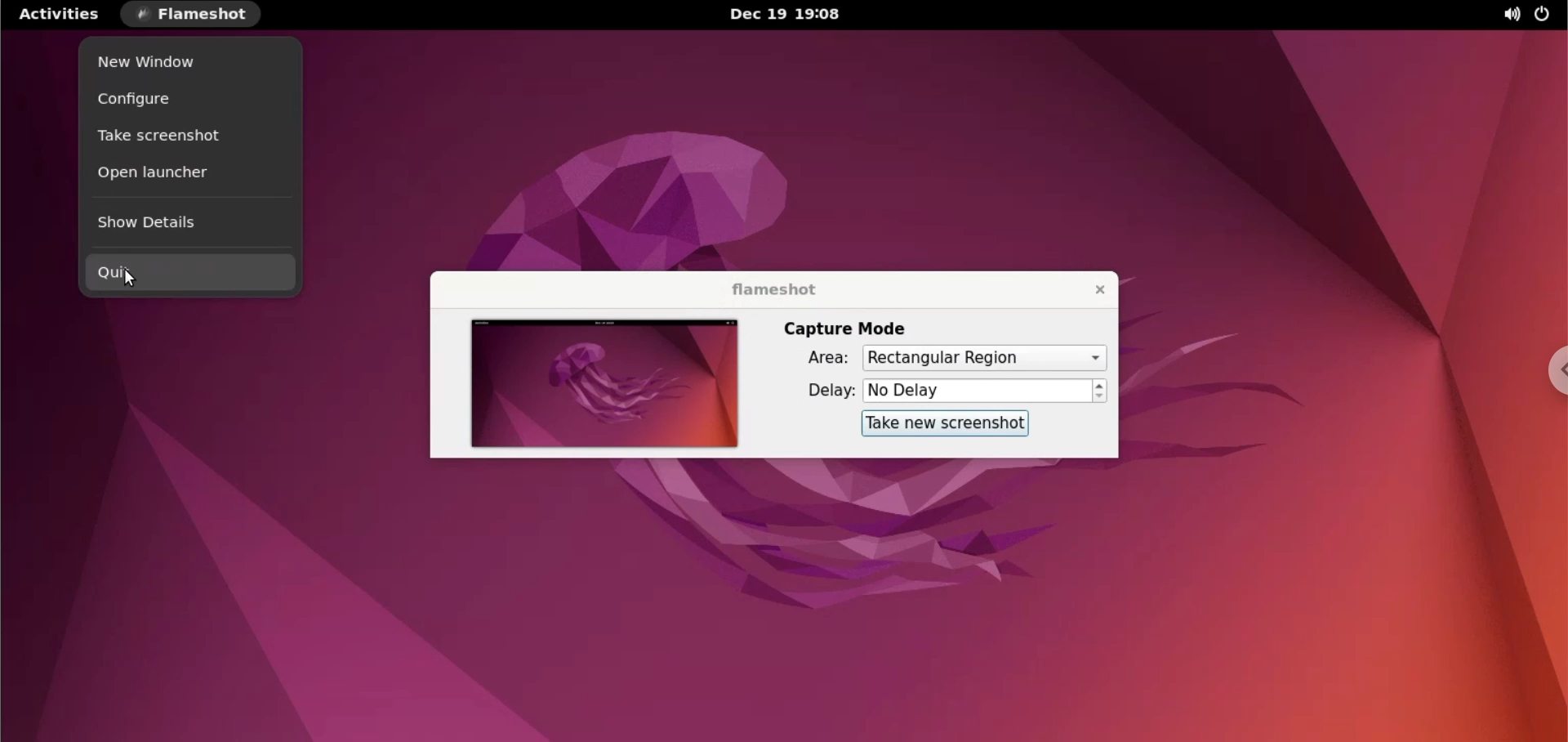 Image resolution: width=1568 pixels, height=742 pixels. I want to click on Dec 19 19:08, so click(790, 13).